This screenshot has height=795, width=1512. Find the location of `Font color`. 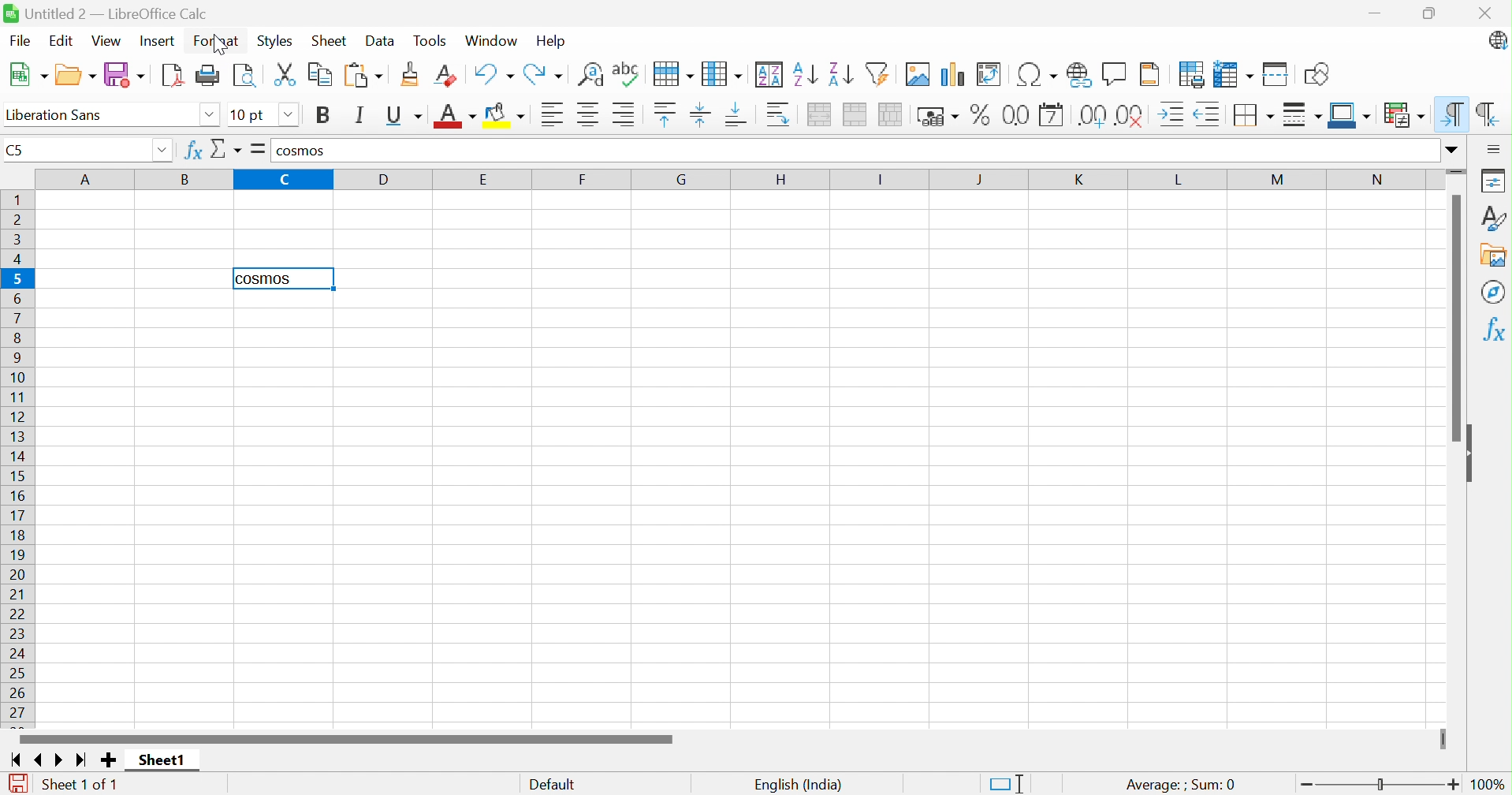

Font color is located at coordinates (455, 115).